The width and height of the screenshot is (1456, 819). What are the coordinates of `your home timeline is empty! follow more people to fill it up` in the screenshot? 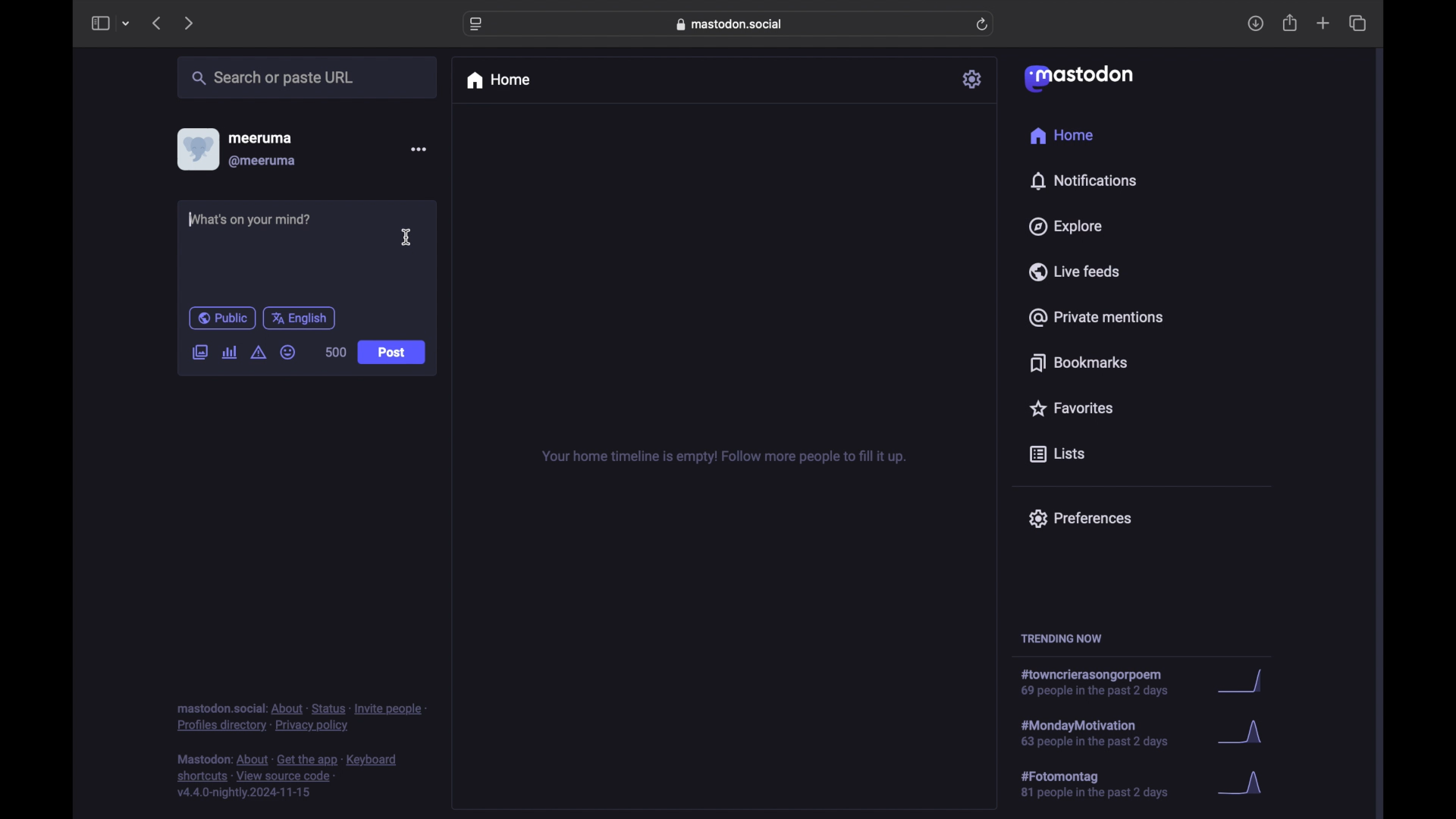 It's located at (723, 457).